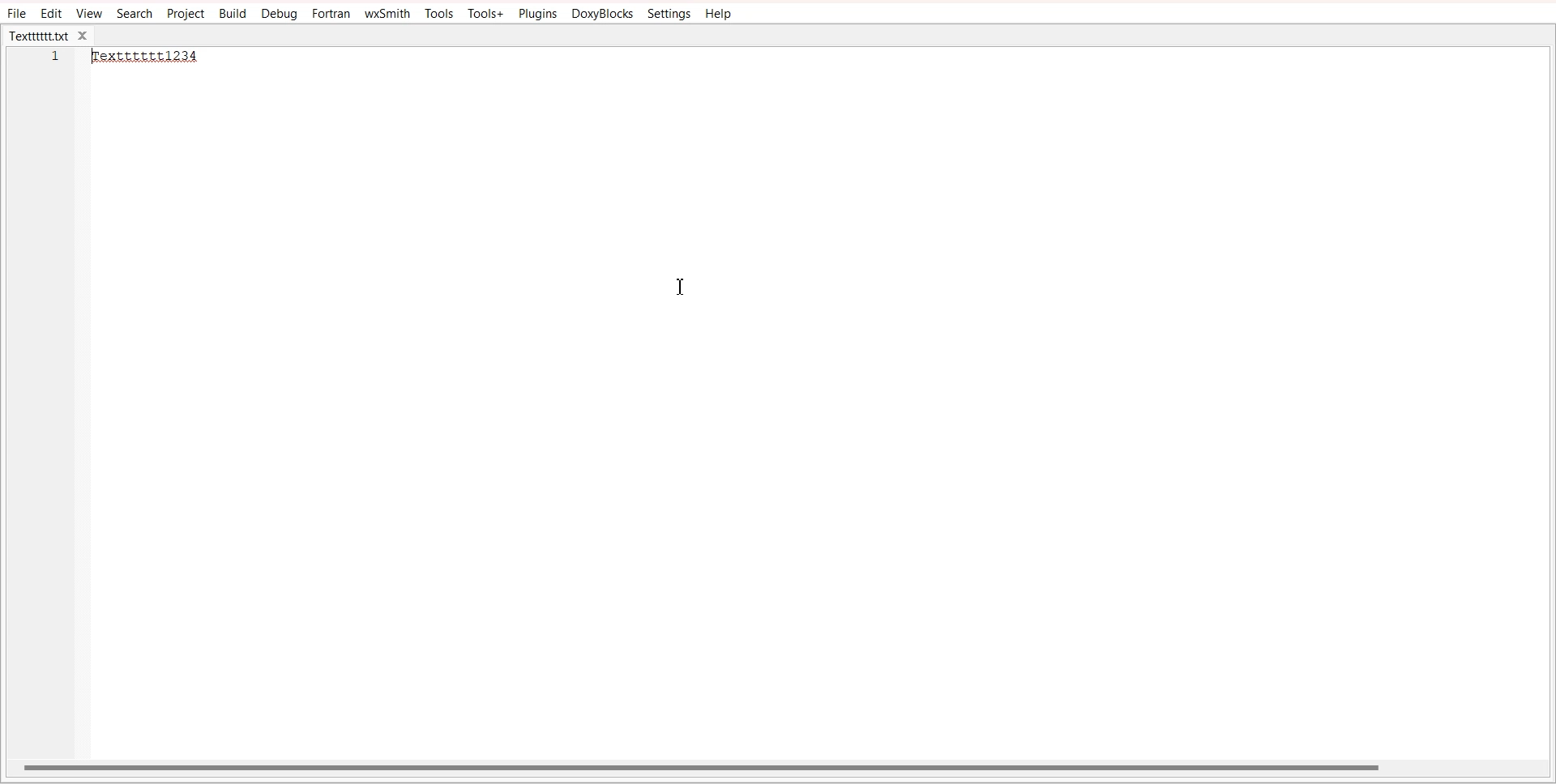 This screenshot has height=784, width=1556. Describe the element at coordinates (54, 63) in the screenshot. I see `Line number` at that location.